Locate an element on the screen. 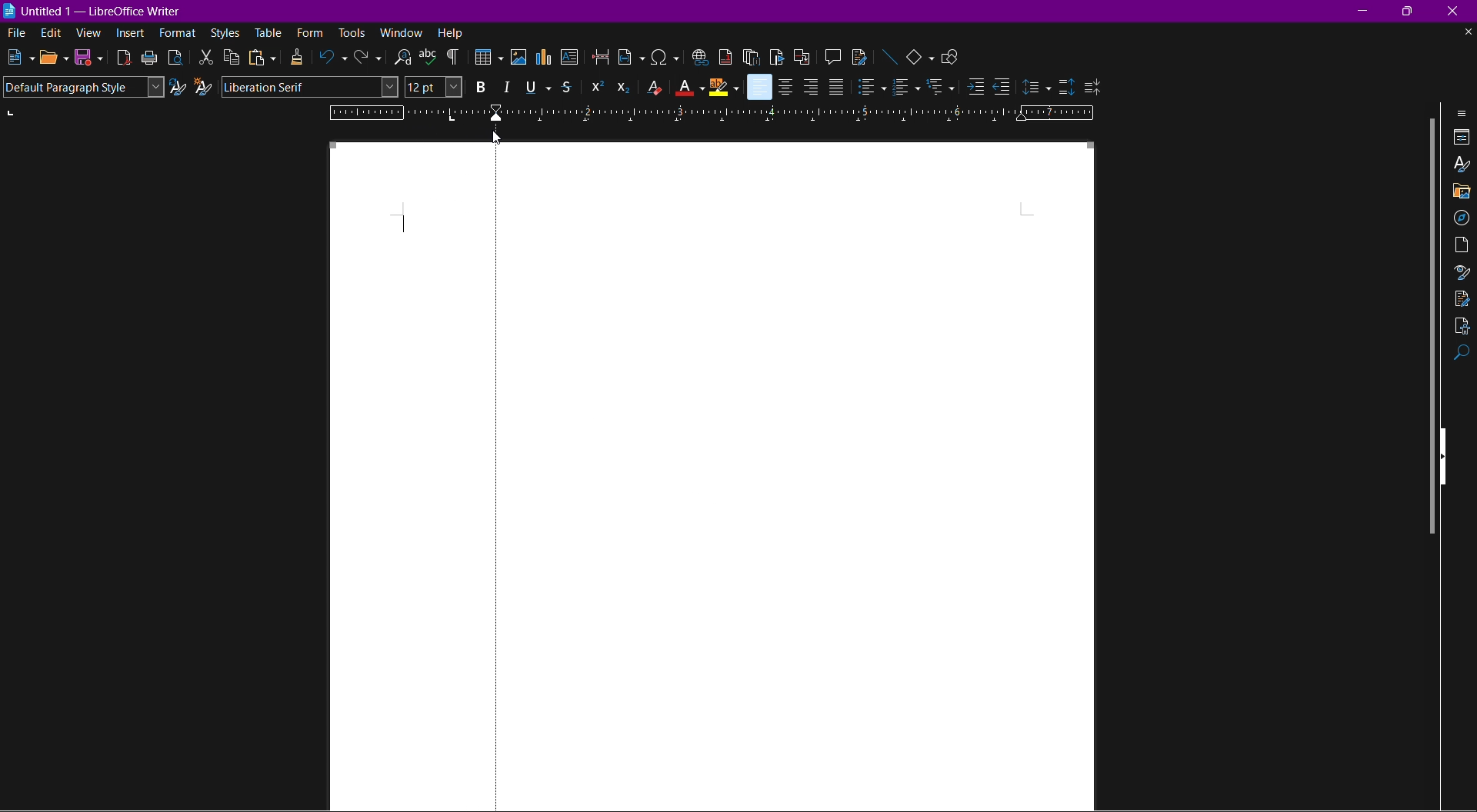 Image resolution: width=1477 pixels, height=812 pixels. Insert Endnote is located at coordinates (751, 56).